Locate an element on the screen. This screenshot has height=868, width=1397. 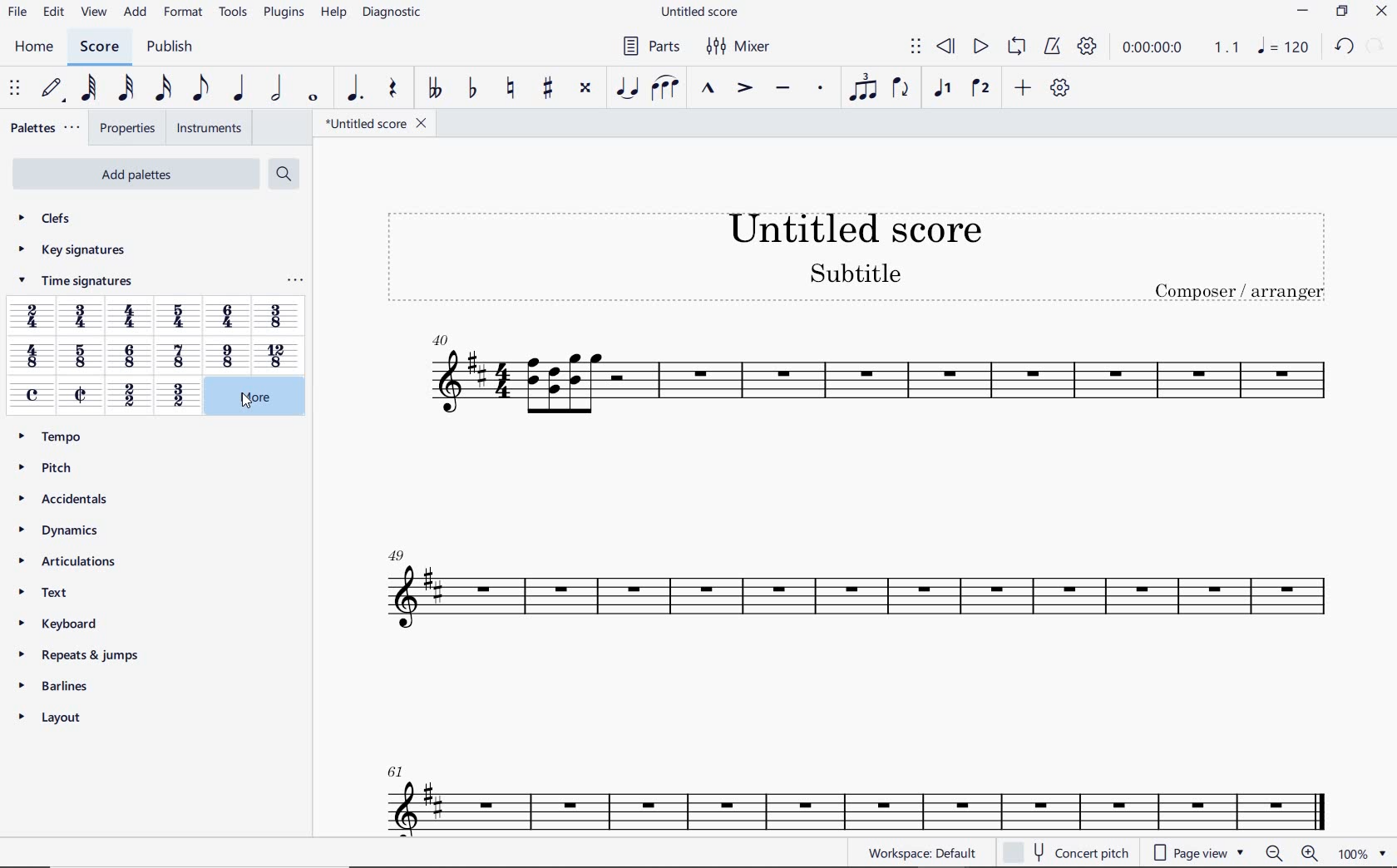
5/4 is located at coordinates (182, 316).